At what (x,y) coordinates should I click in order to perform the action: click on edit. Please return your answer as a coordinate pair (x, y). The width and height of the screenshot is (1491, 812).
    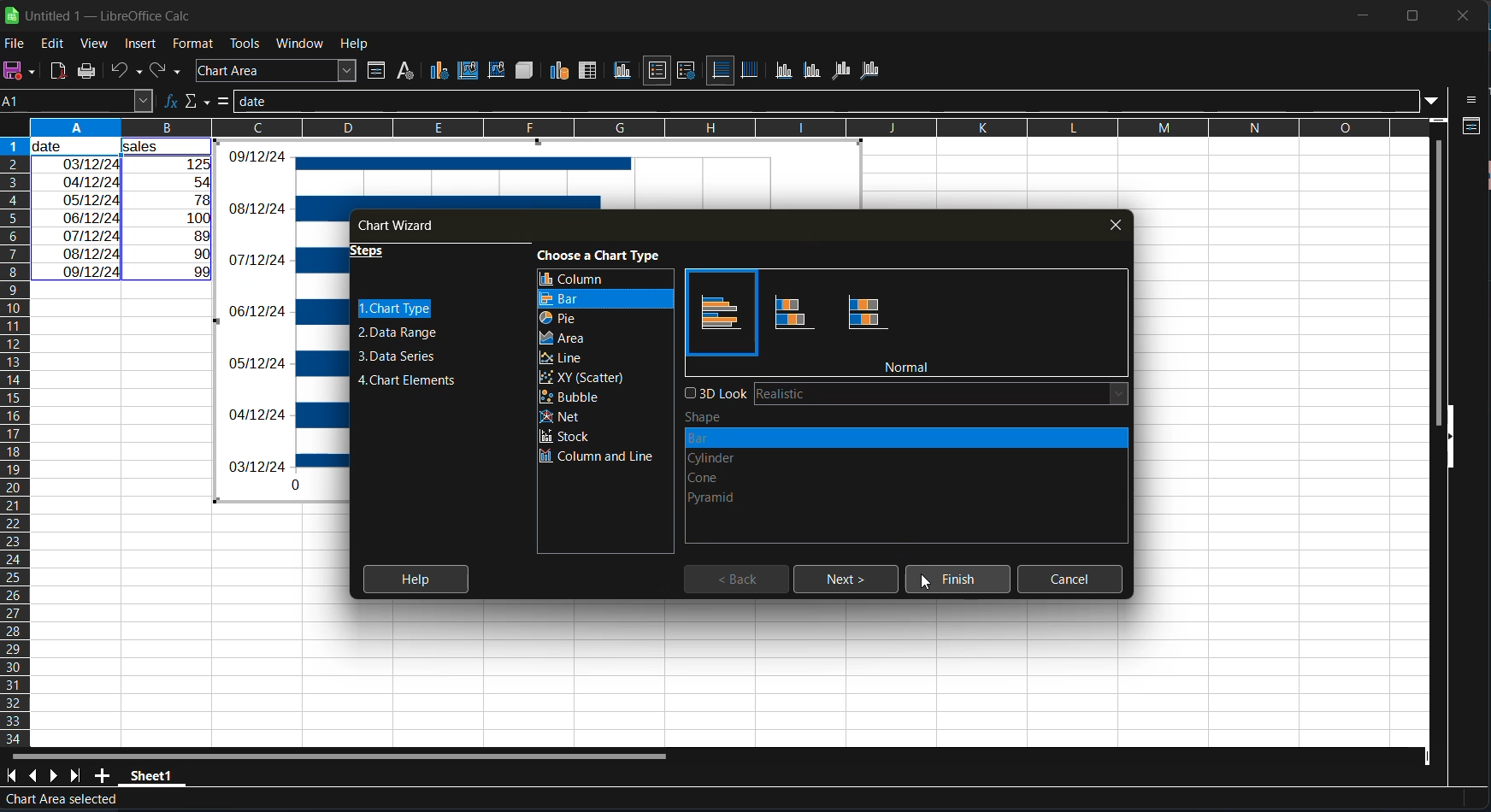
    Looking at the image, I should click on (51, 44).